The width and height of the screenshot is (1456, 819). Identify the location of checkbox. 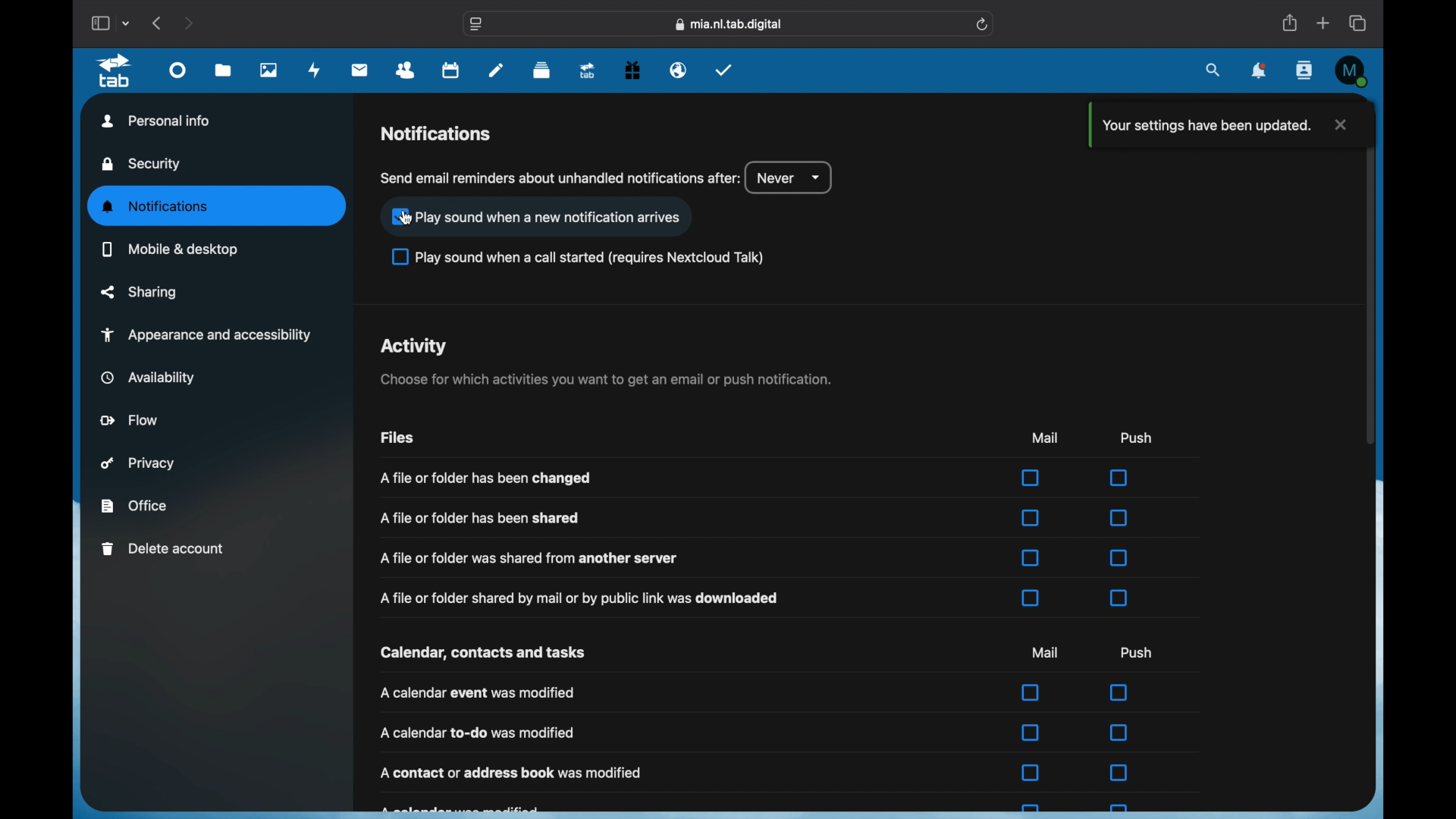
(1119, 692).